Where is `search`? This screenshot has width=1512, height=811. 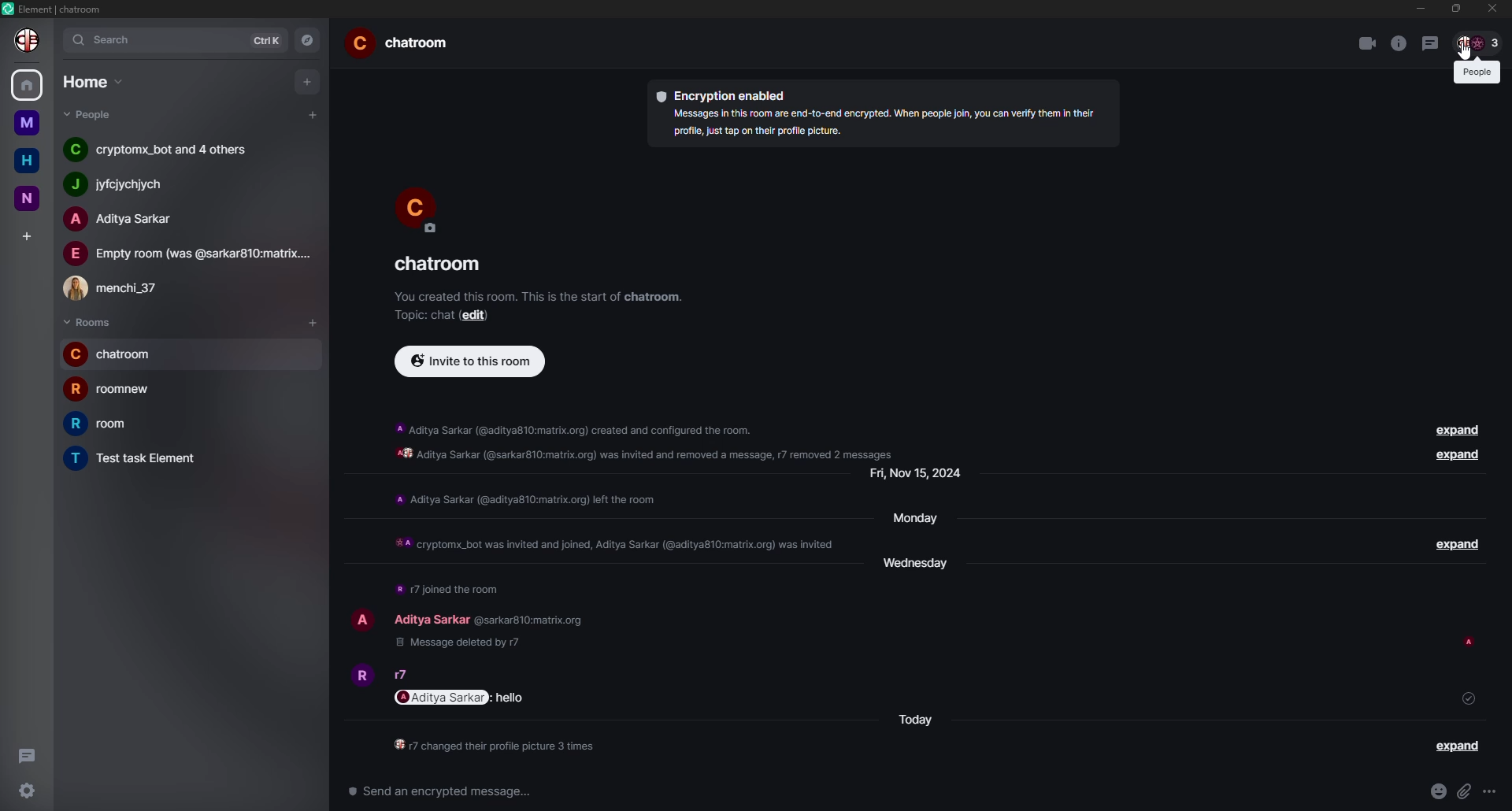 search is located at coordinates (109, 39).